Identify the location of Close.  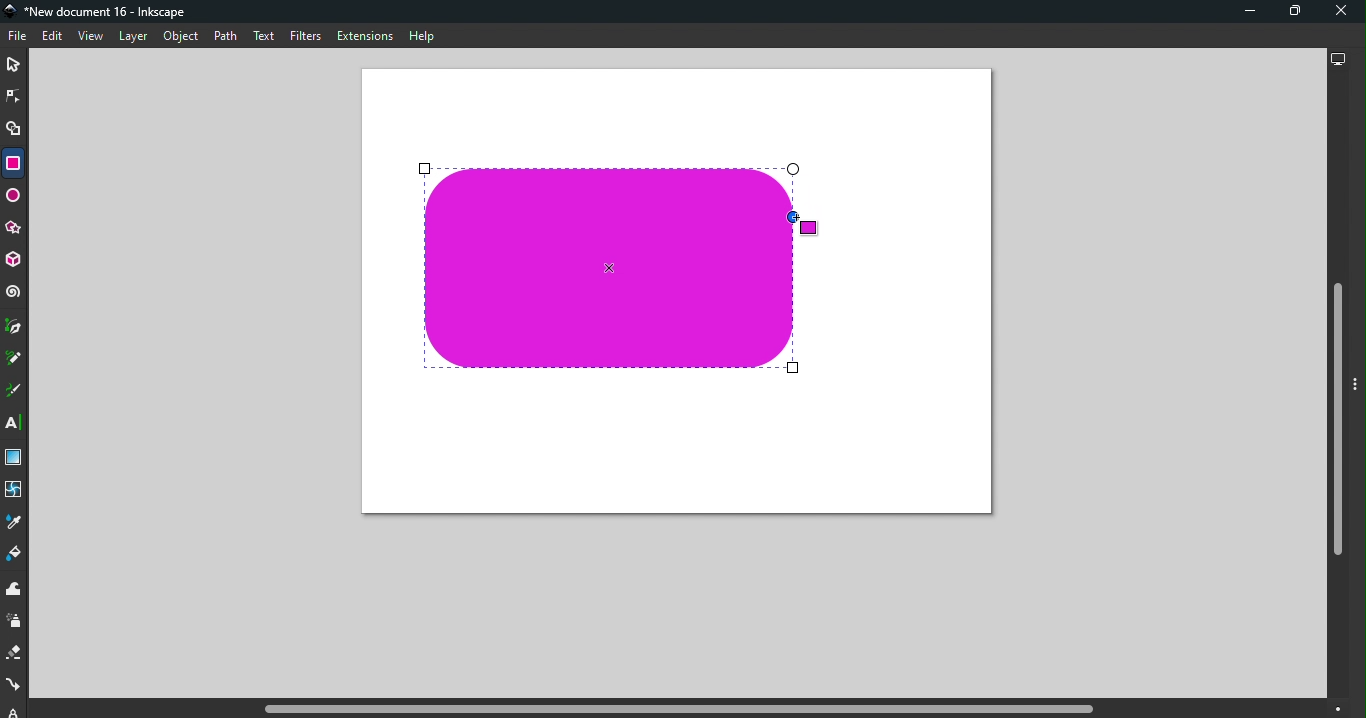
(1341, 12).